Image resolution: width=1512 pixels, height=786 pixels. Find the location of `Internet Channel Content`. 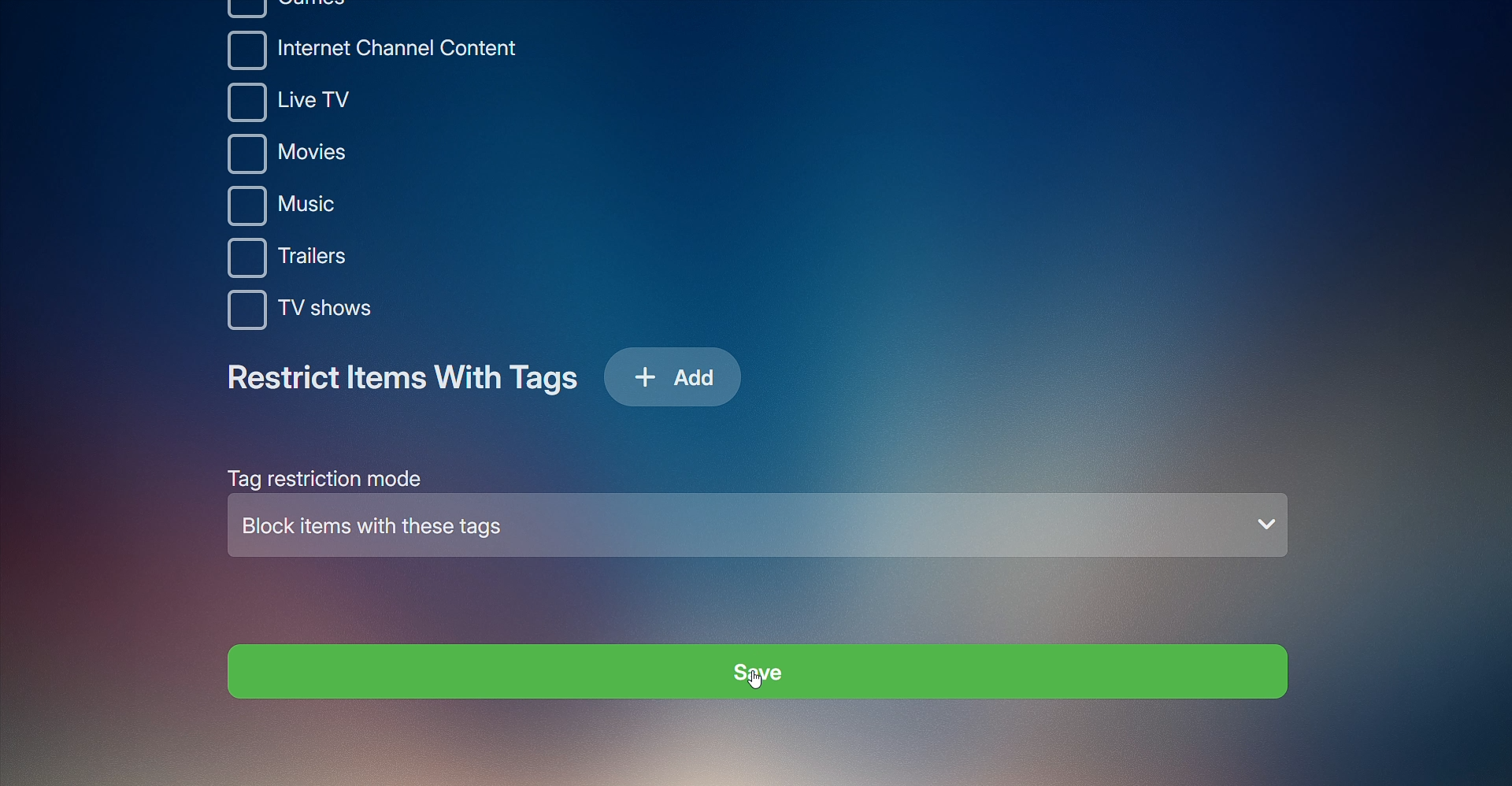

Internet Channel Content is located at coordinates (384, 49).